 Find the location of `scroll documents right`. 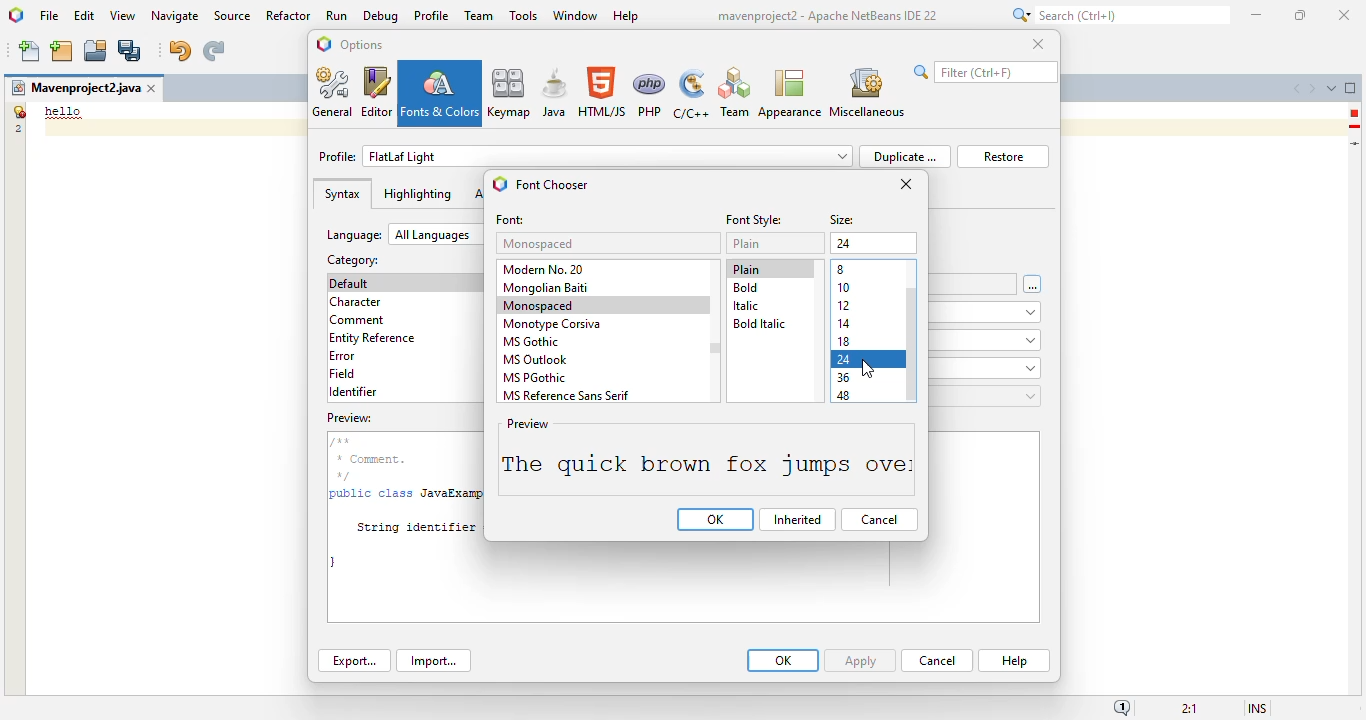

scroll documents right is located at coordinates (1311, 89).